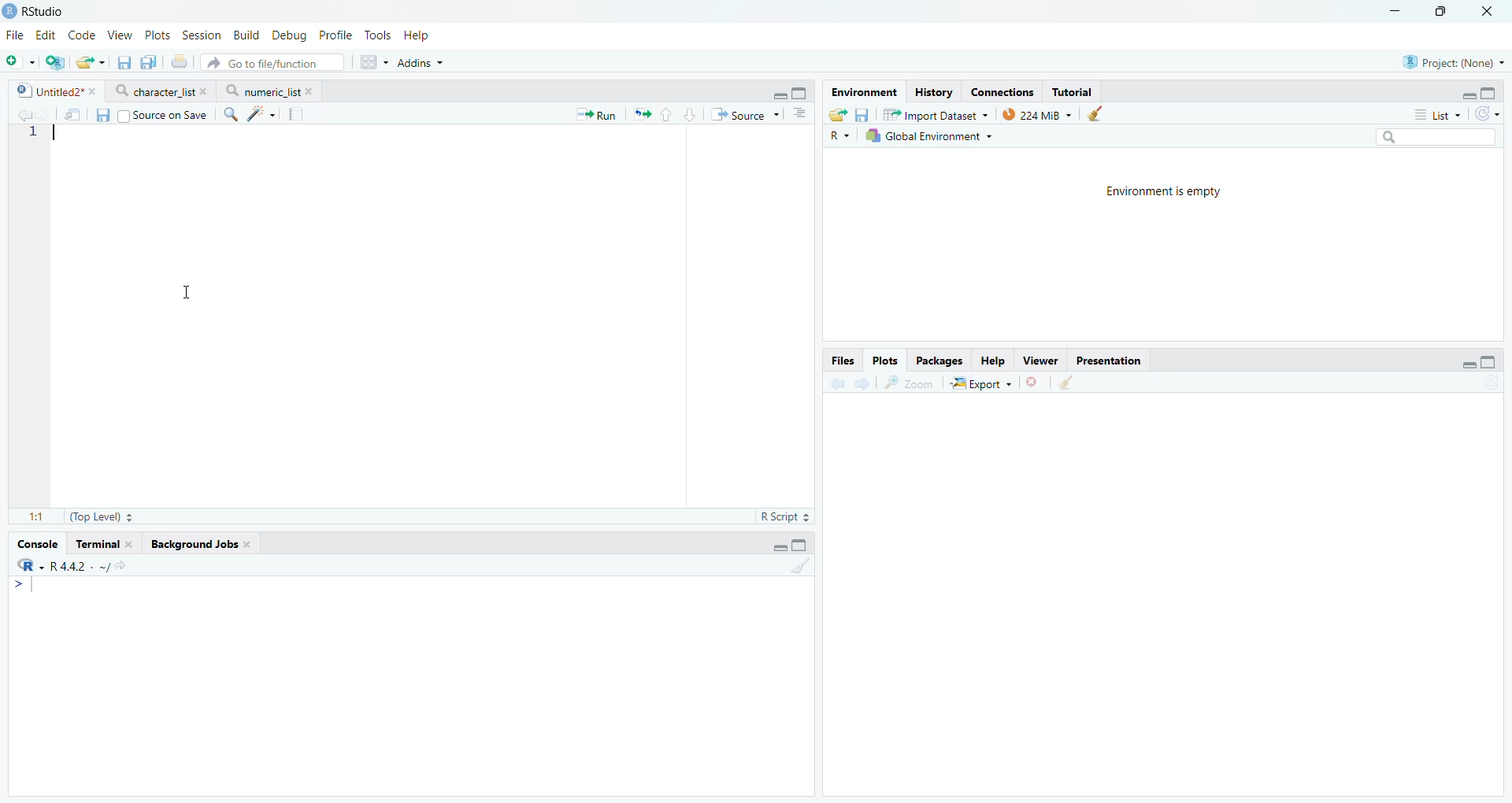  What do you see at coordinates (1040, 360) in the screenshot?
I see `Viewer` at bounding box center [1040, 360].